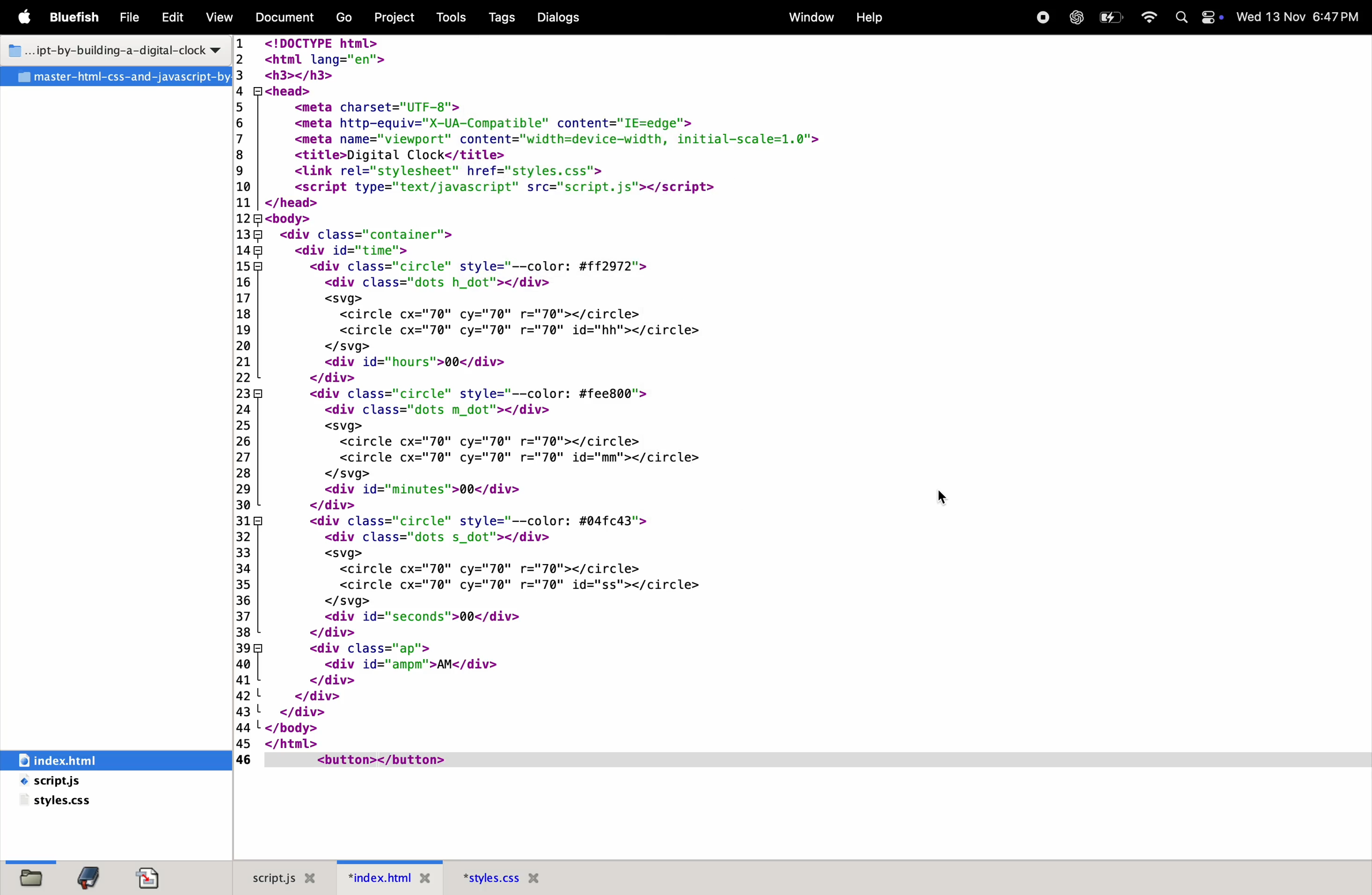 The image size is (1372, 895). What do you see at coordinates (1076, 16) in the screenshot?
I see `chatGpt` at bounding box center [1076, 16].